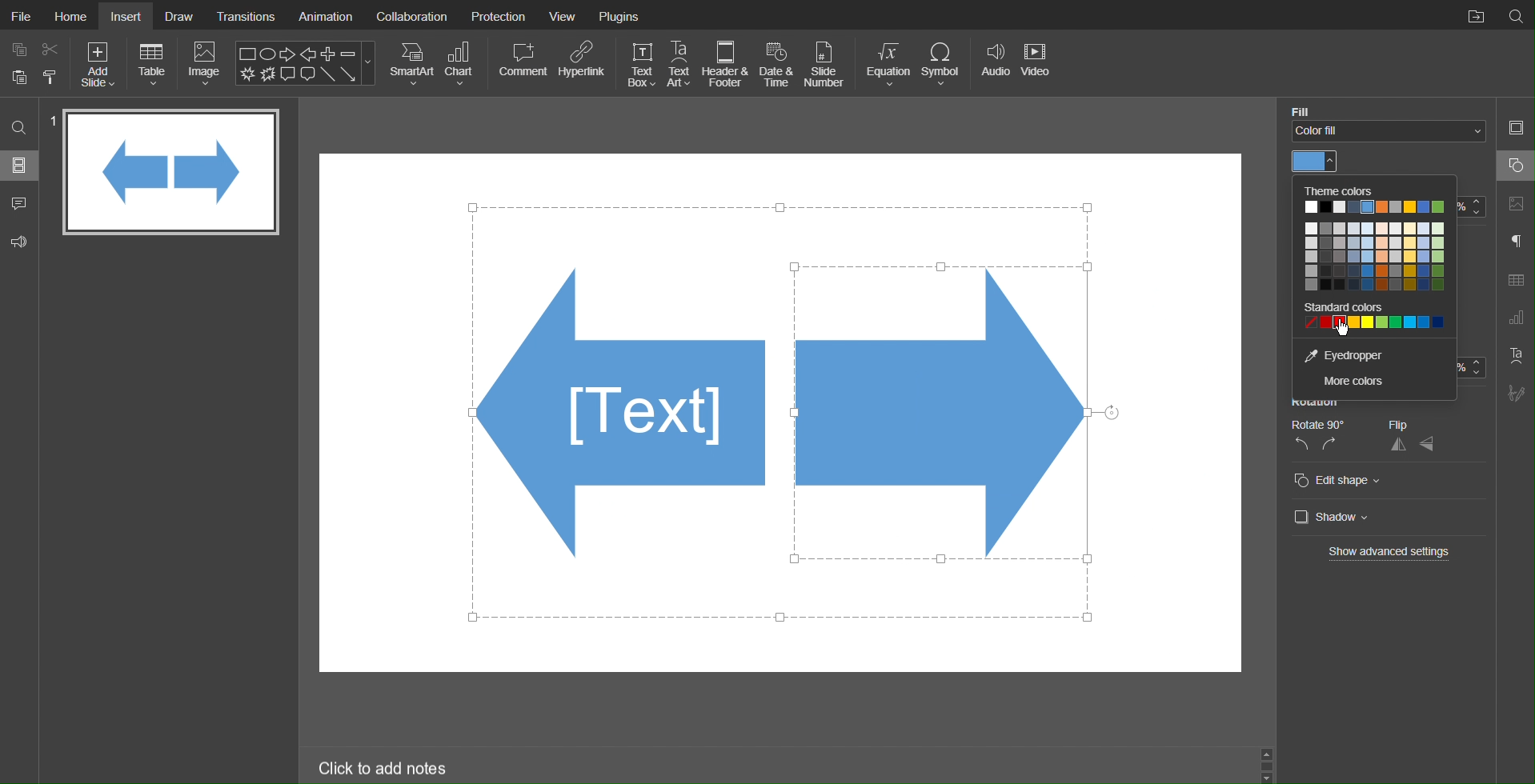  Describe the element at coordinates (582, 65) in the screenshot. I see `Hyperlink` at that location.